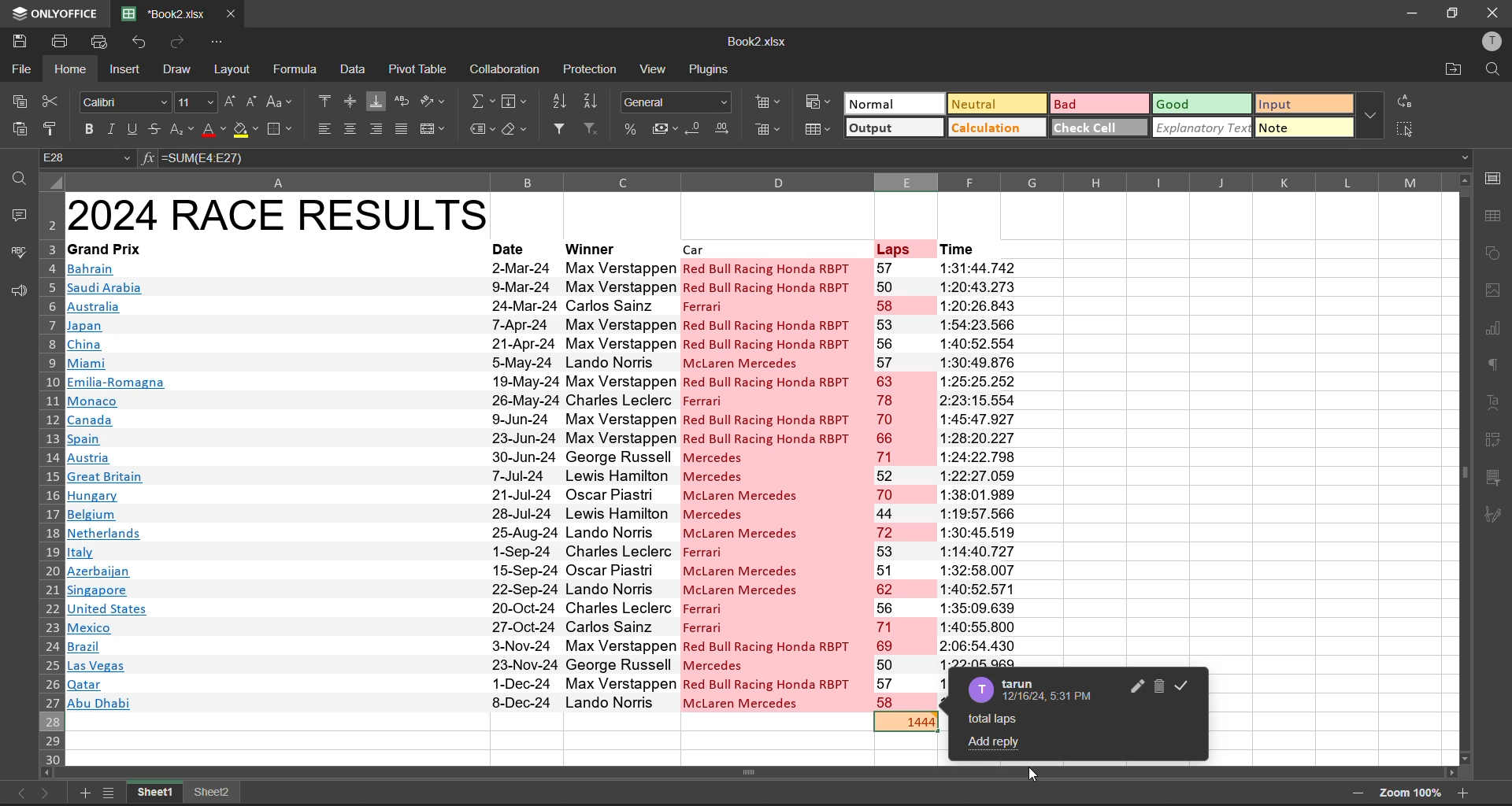 The width and height of the screenshot is (1512, 806). I want to click on copy style, so click(51, 129).